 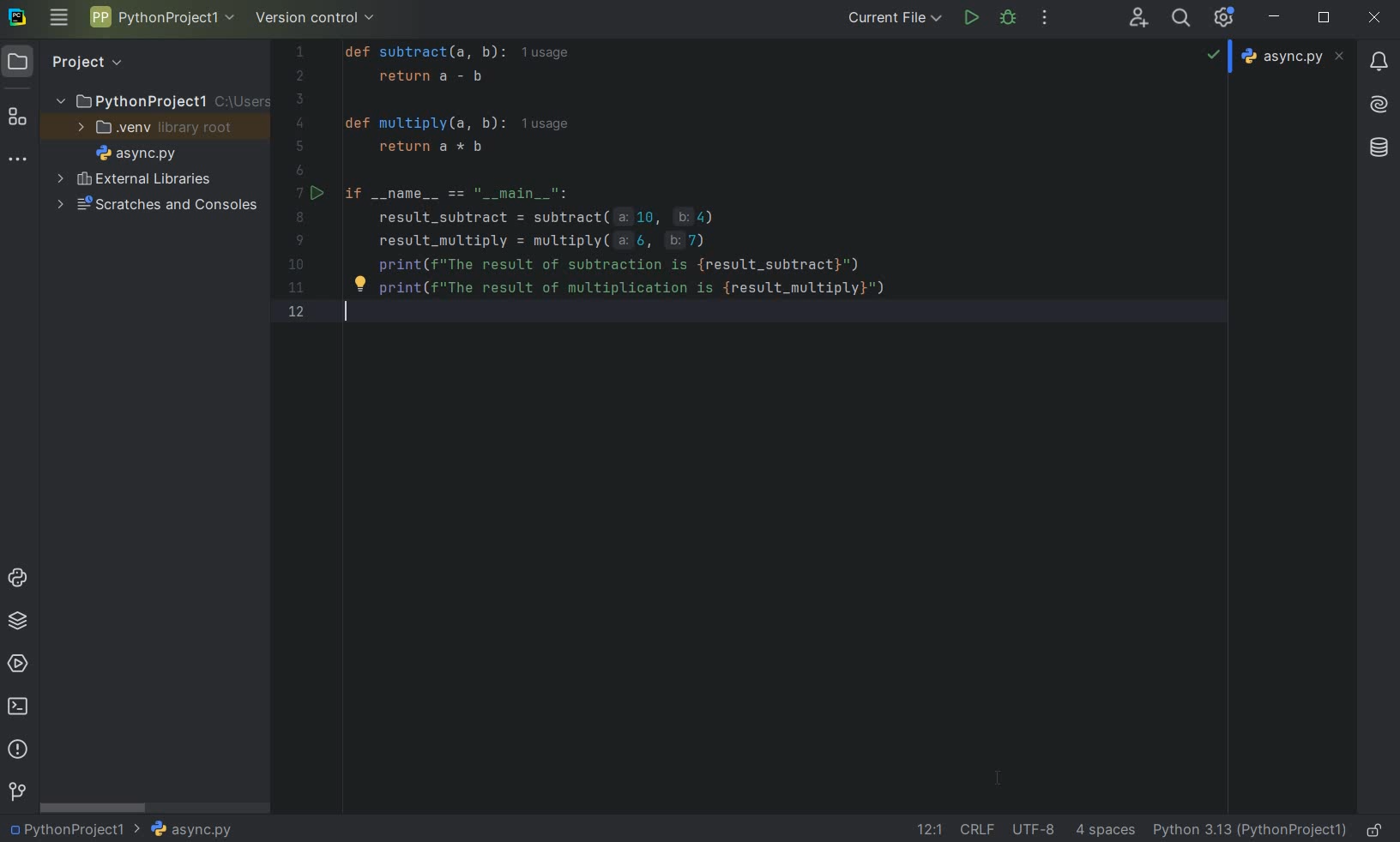 What do you see at coordinates (18, 118) in the screenshot?
I see `structure` at bounding box center [18, 118].